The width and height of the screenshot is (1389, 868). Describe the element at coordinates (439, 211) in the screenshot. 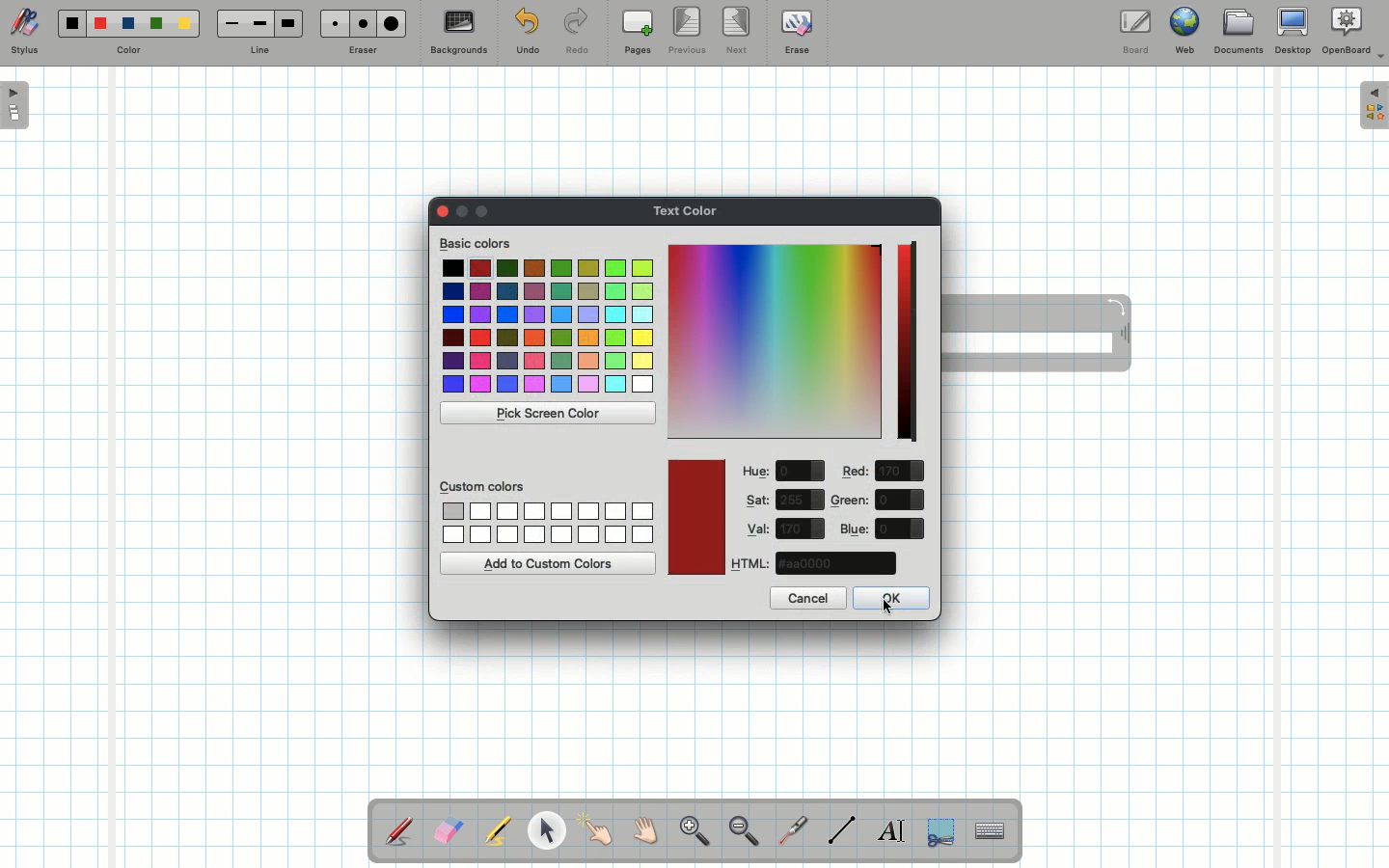

I see `Clor` at that location.